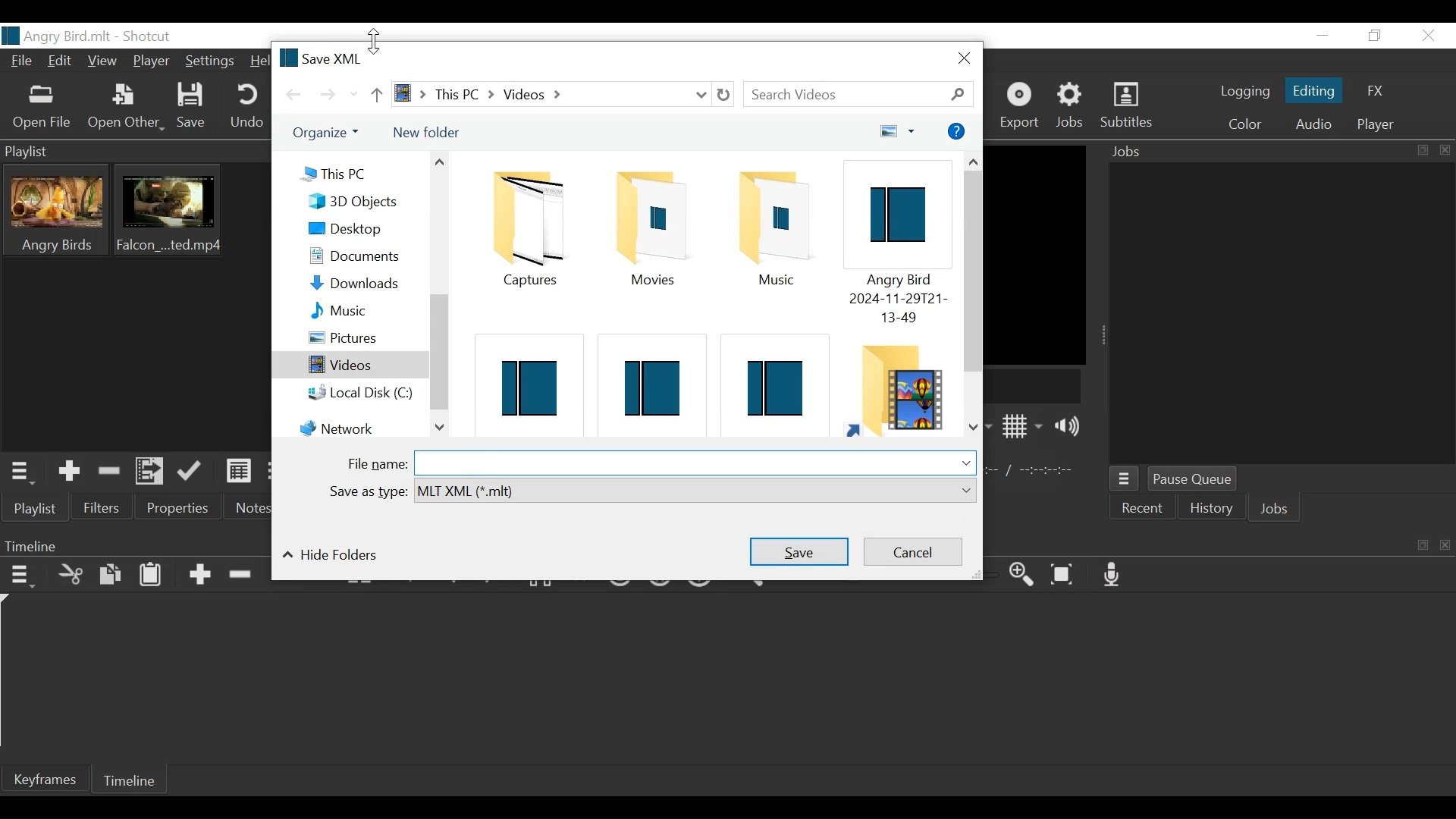  I want to click on Pause Queue, so click(1197, 479).